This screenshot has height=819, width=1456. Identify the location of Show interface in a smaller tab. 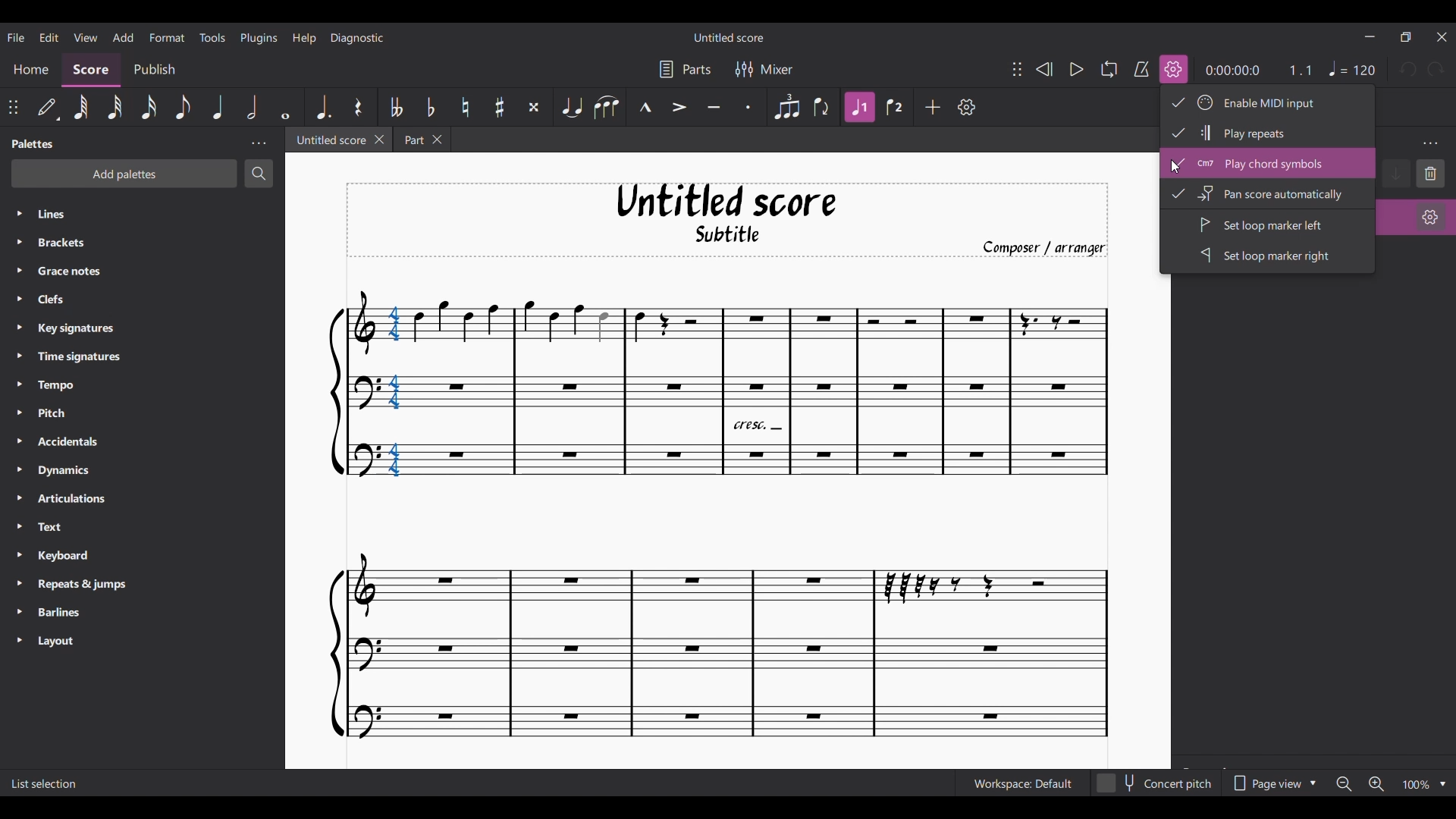
(1406, 37).